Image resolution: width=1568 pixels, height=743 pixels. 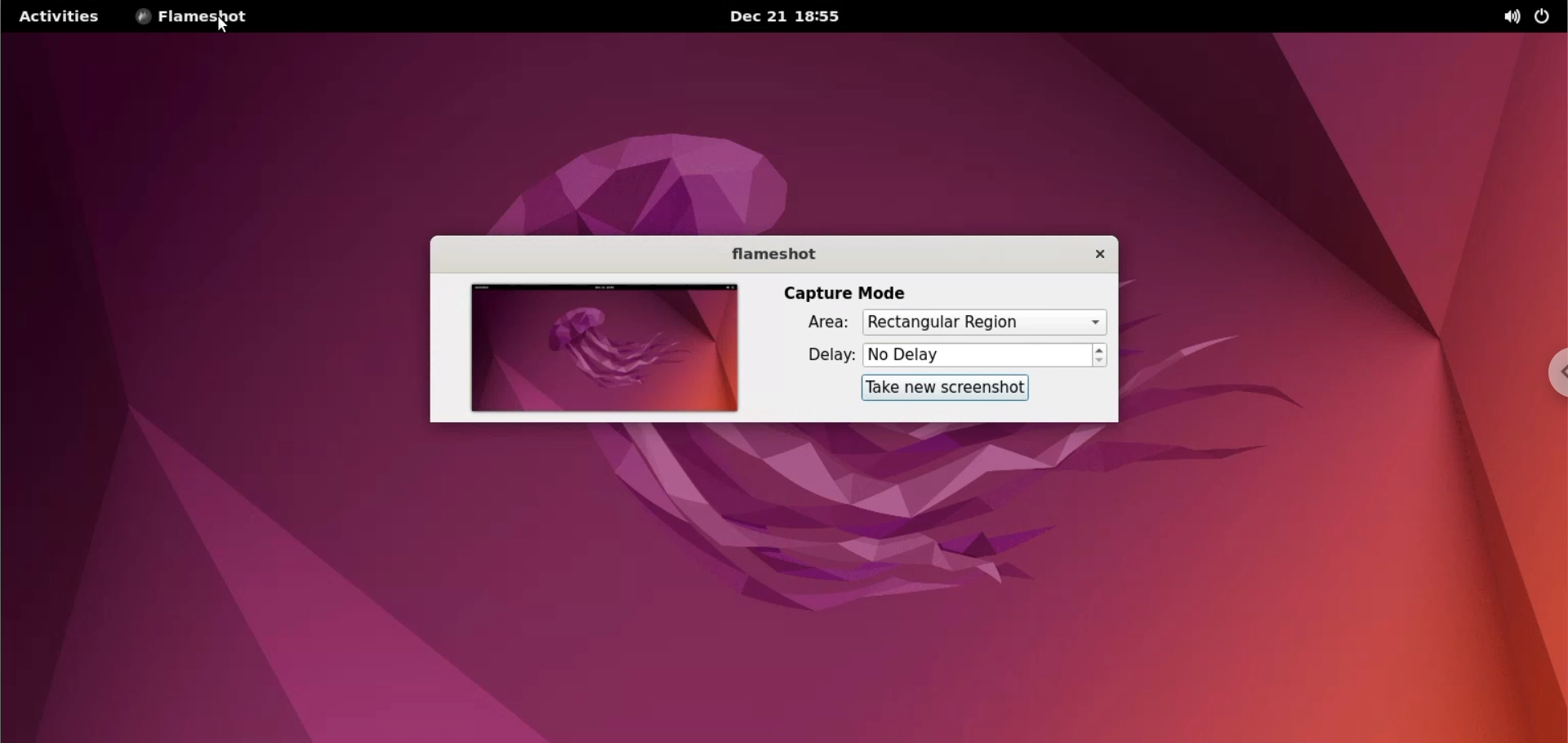 What do you see at coordinates (1510, 16) in the screenshot?
I see `sound options` at bounding box center [1510, 16].